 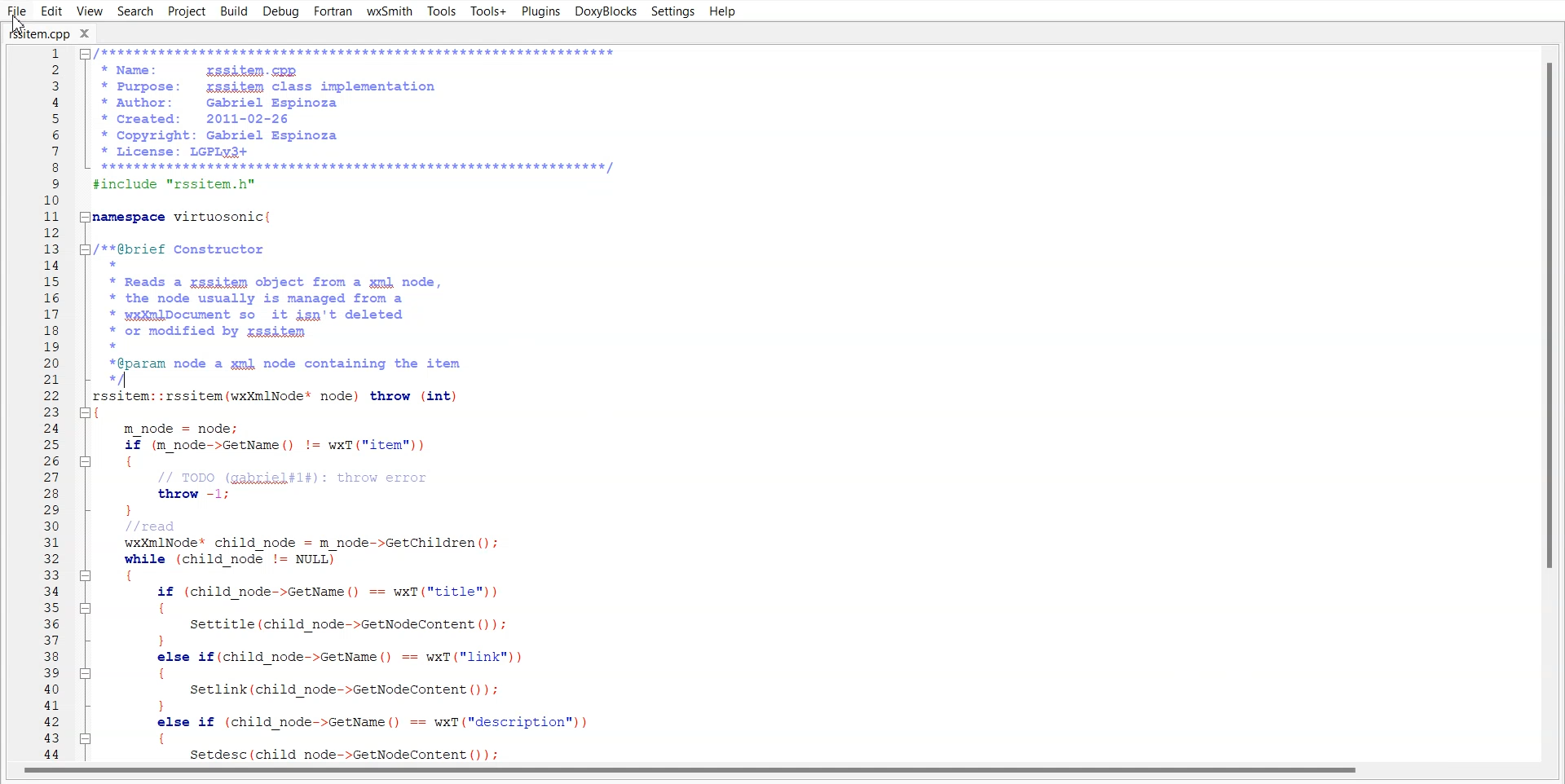 What do you see at coordinates (18, 11) in the screenshot?
I see `File` at bounding box center [18, 11].